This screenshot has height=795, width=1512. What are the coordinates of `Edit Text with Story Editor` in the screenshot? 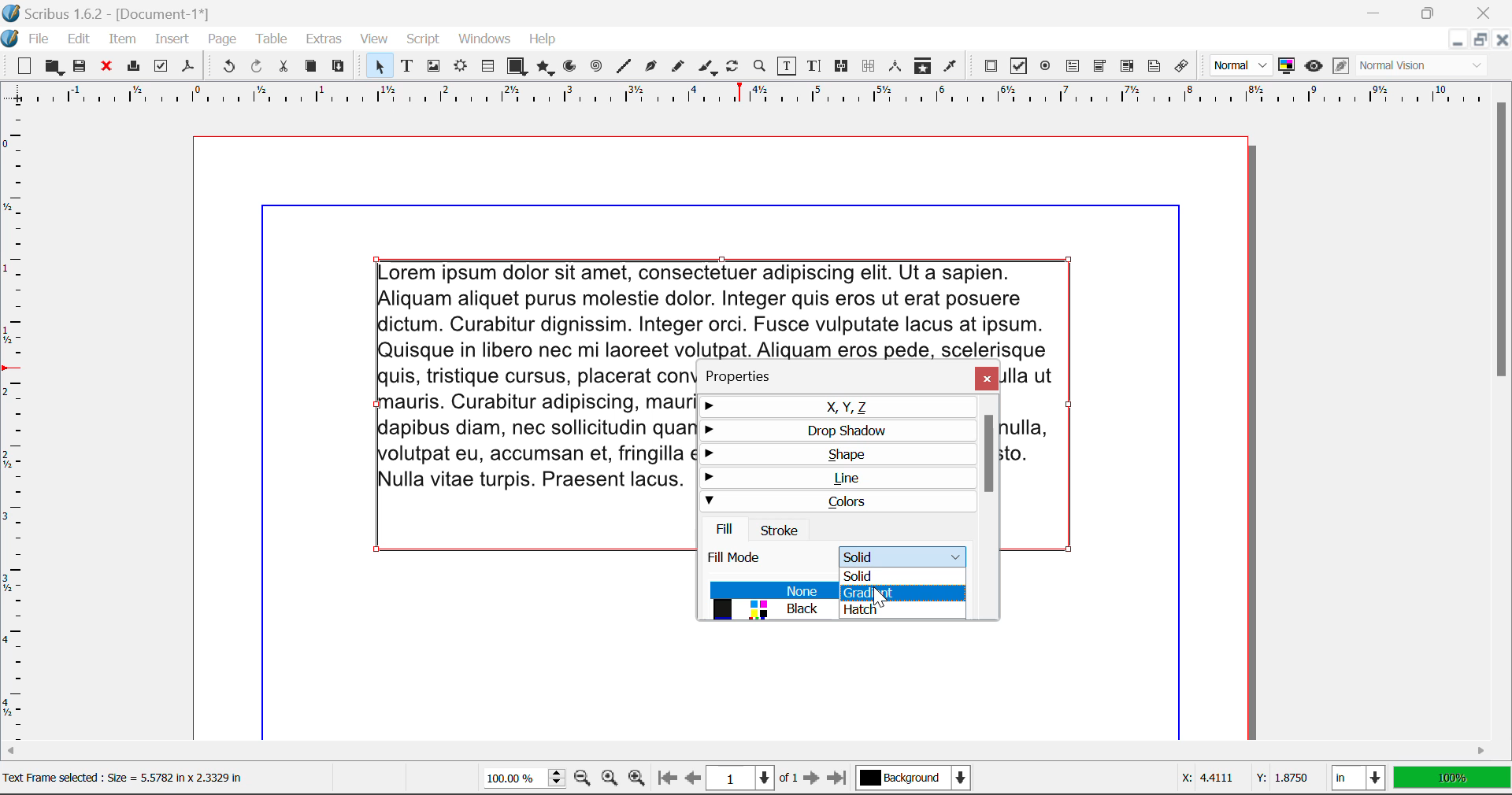 It's located at (817, 66).